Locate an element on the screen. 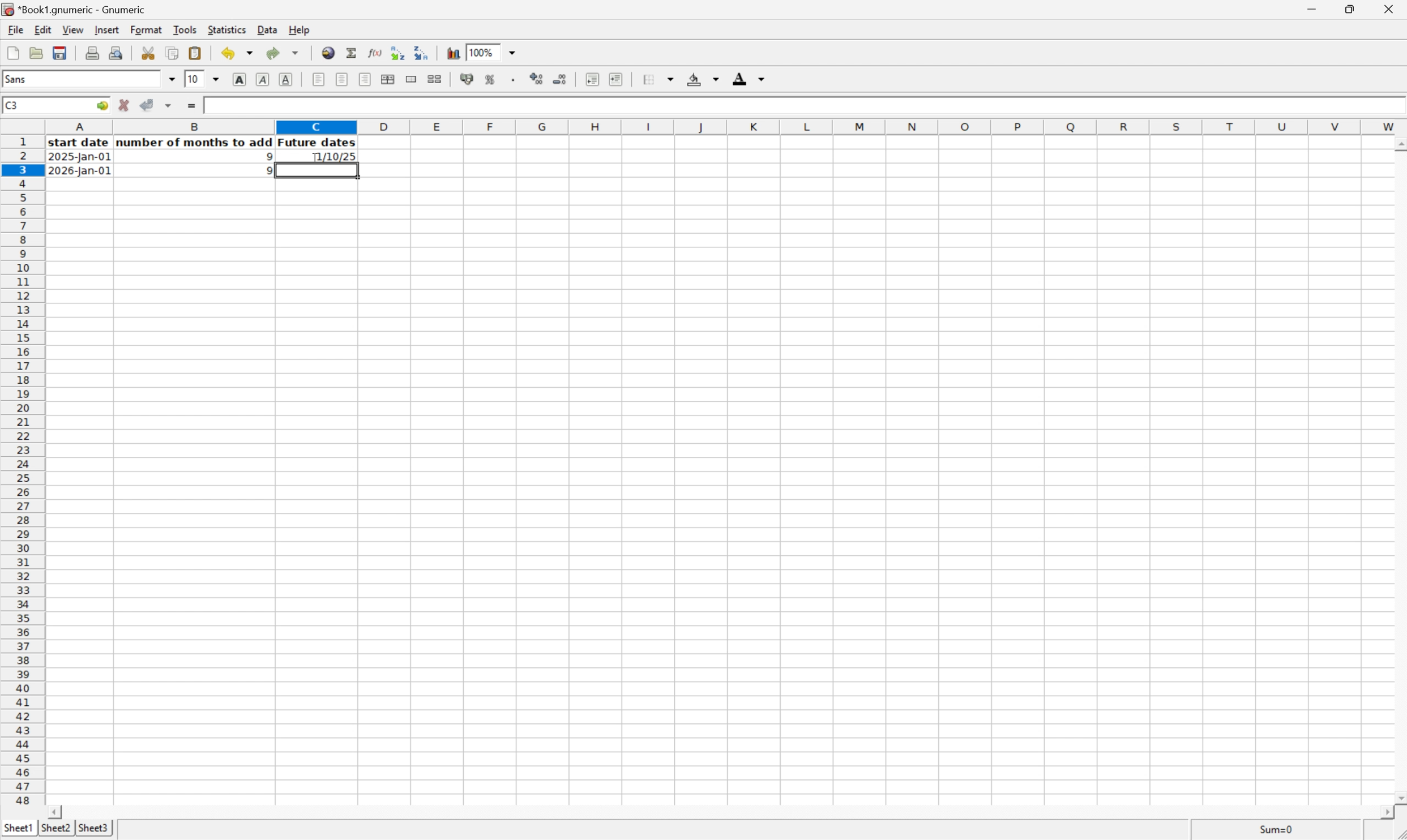  Sans is located at coordinates (22, 79).